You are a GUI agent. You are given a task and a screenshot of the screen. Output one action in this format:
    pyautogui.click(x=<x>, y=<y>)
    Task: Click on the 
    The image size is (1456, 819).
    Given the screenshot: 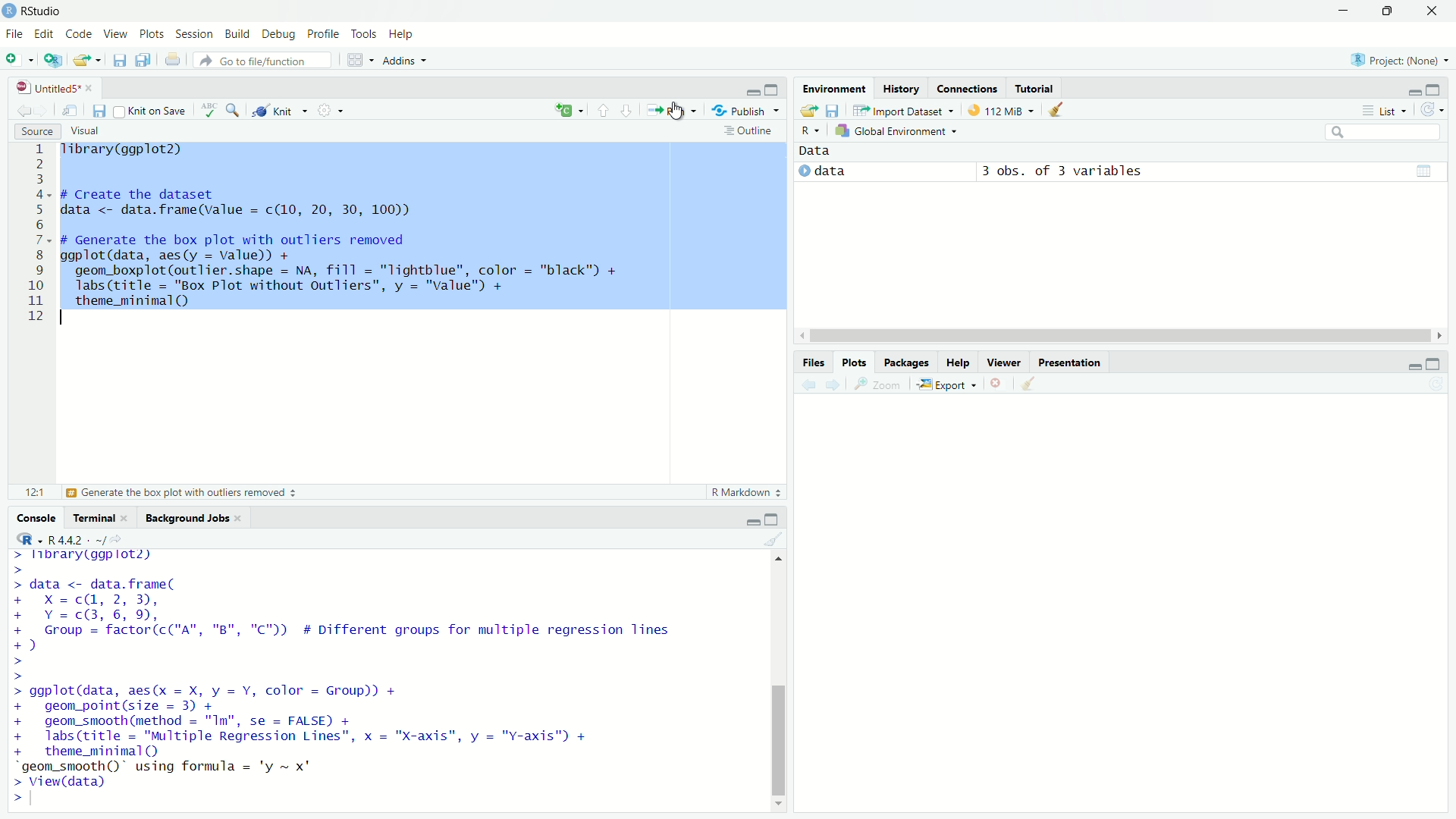 What is the action you would take?
    pyautogui.click(x=808, y=362)
    